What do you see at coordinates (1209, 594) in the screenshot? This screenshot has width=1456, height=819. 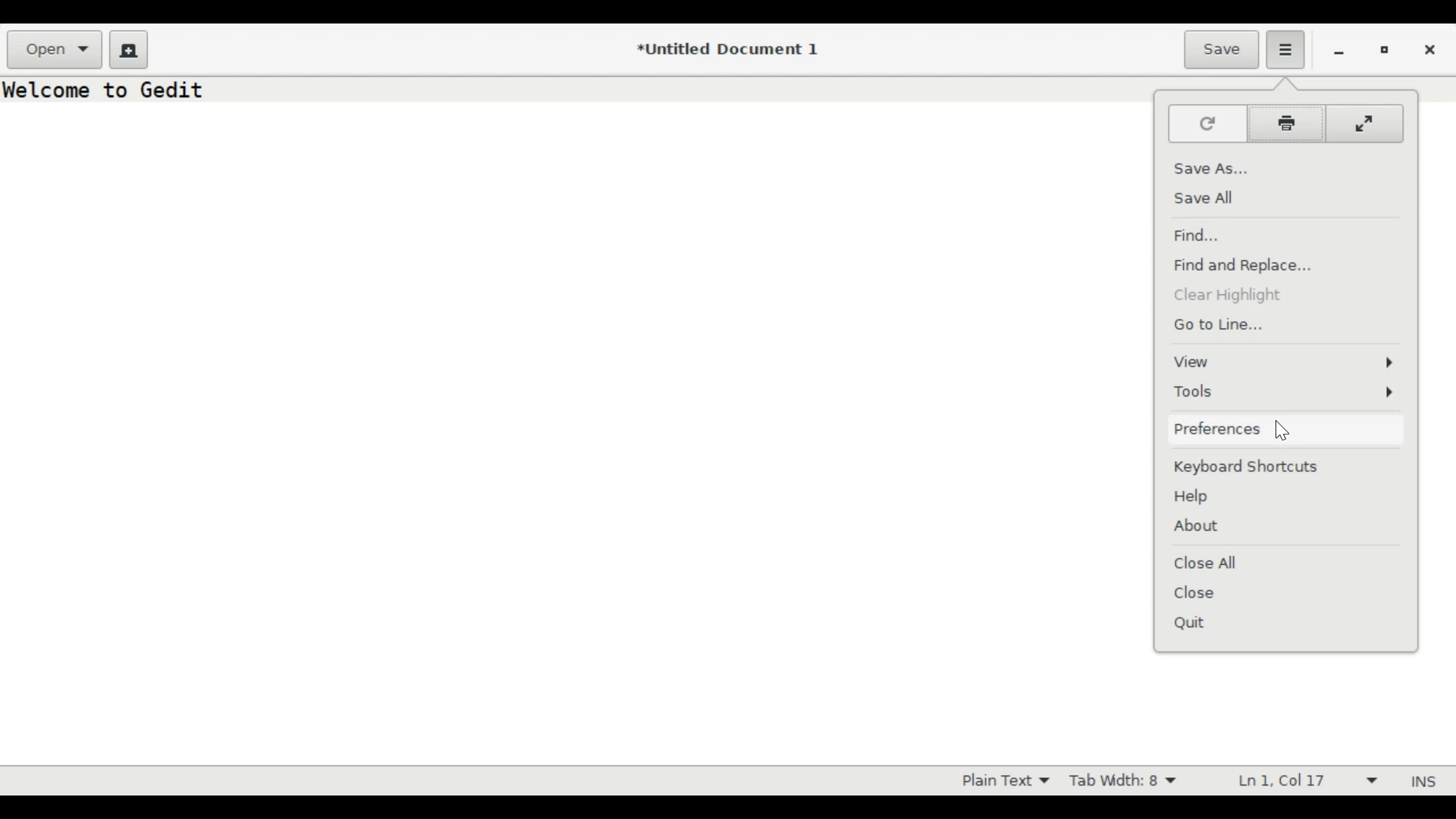 I see `Close` at bounding box center [1209, 594].